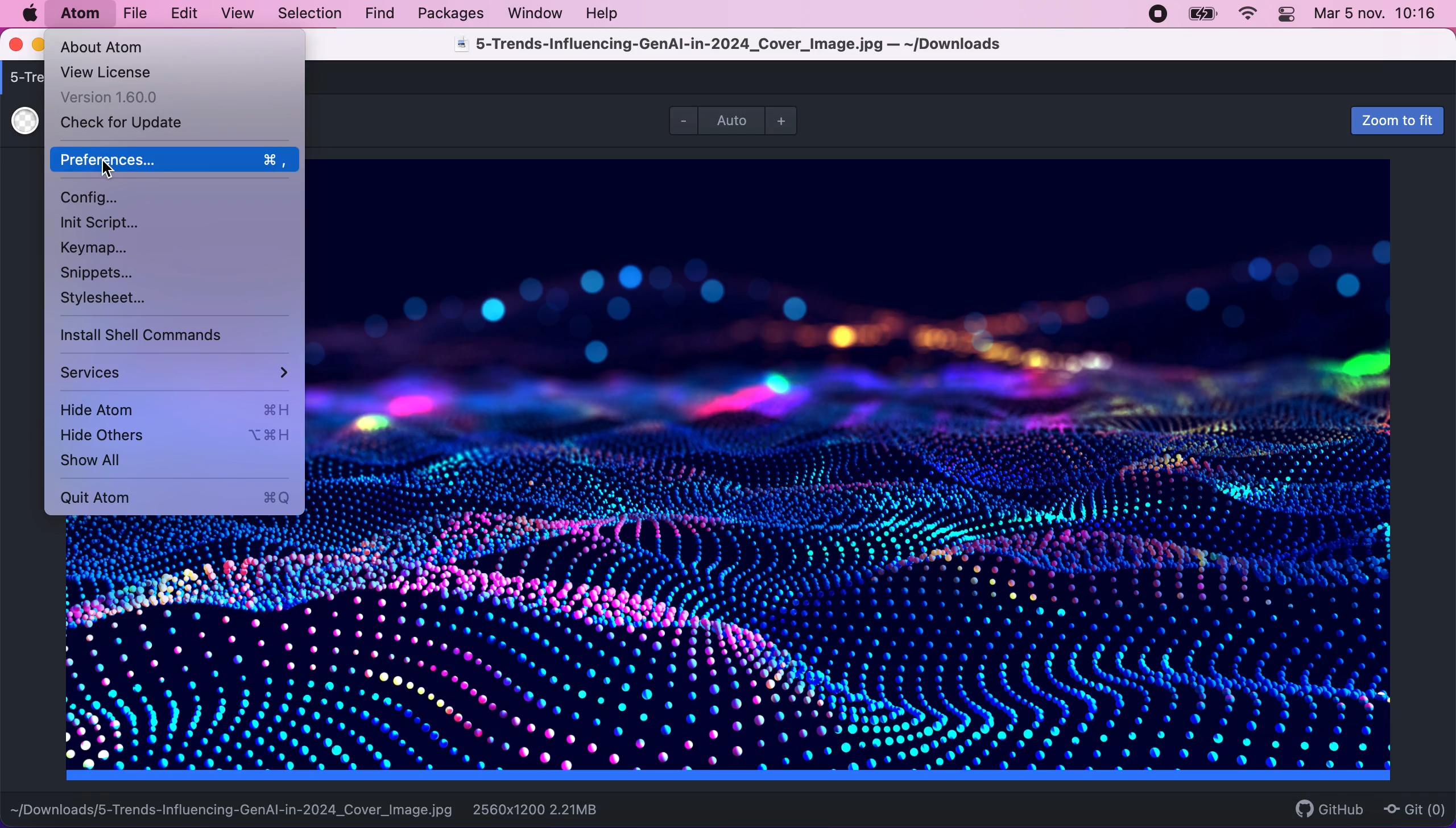 This screenshot has width=1456, height=828. I want to click on about atom, so click(123, 47).